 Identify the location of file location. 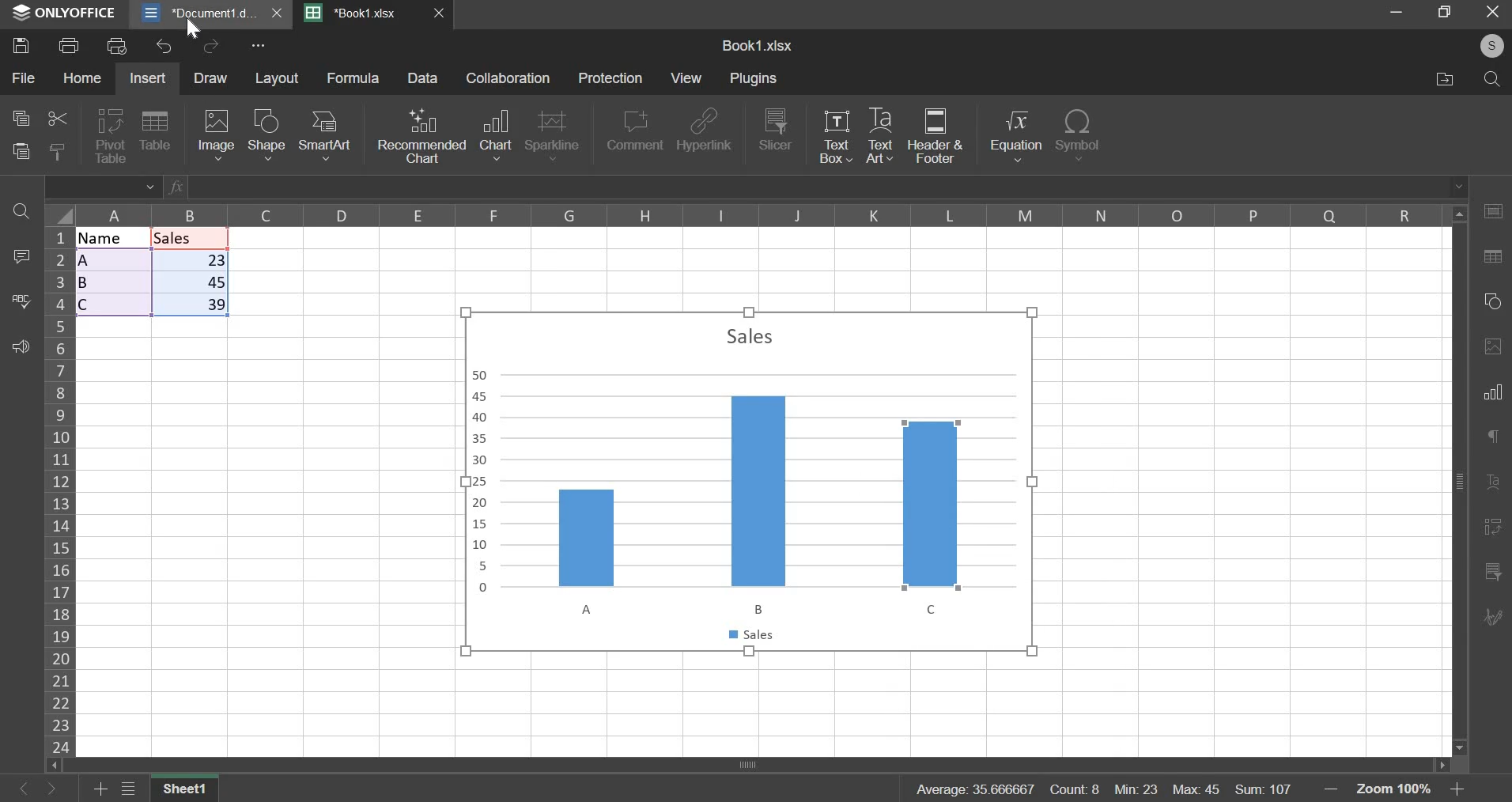
(1448, 81).